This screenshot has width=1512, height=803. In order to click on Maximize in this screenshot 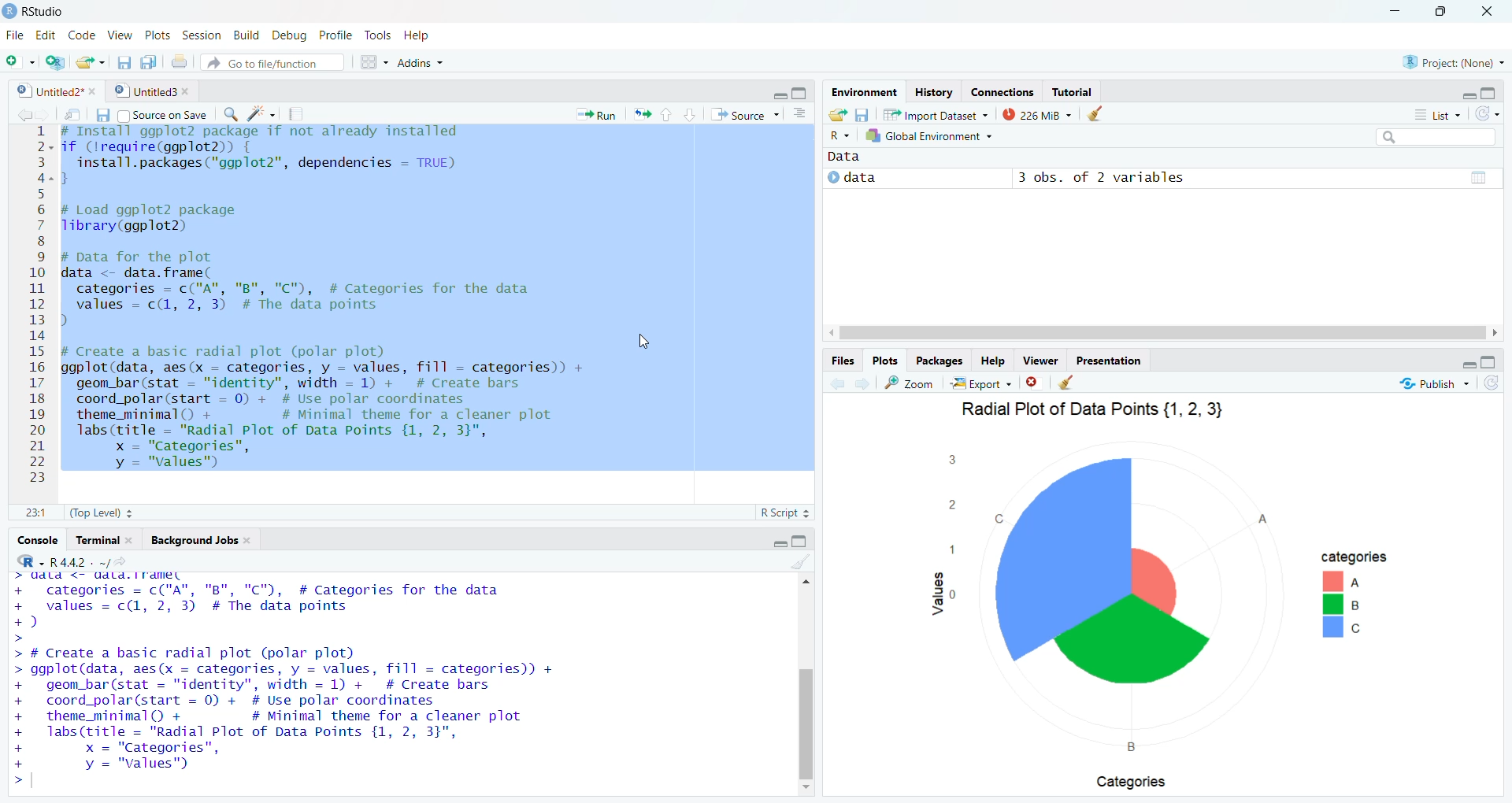, I will do `click(1491, 359)`.